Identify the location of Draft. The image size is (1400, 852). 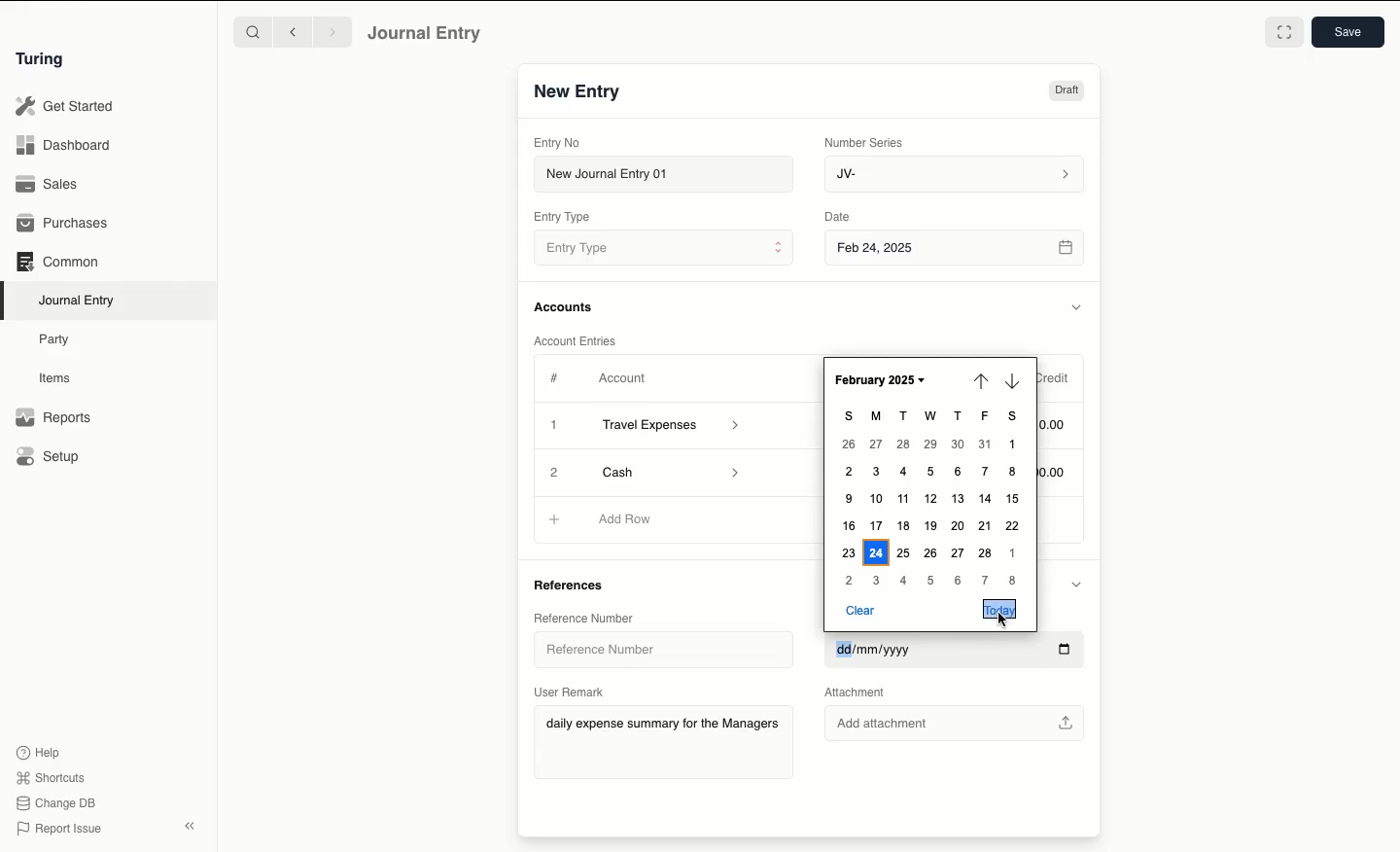
(1067, 90).